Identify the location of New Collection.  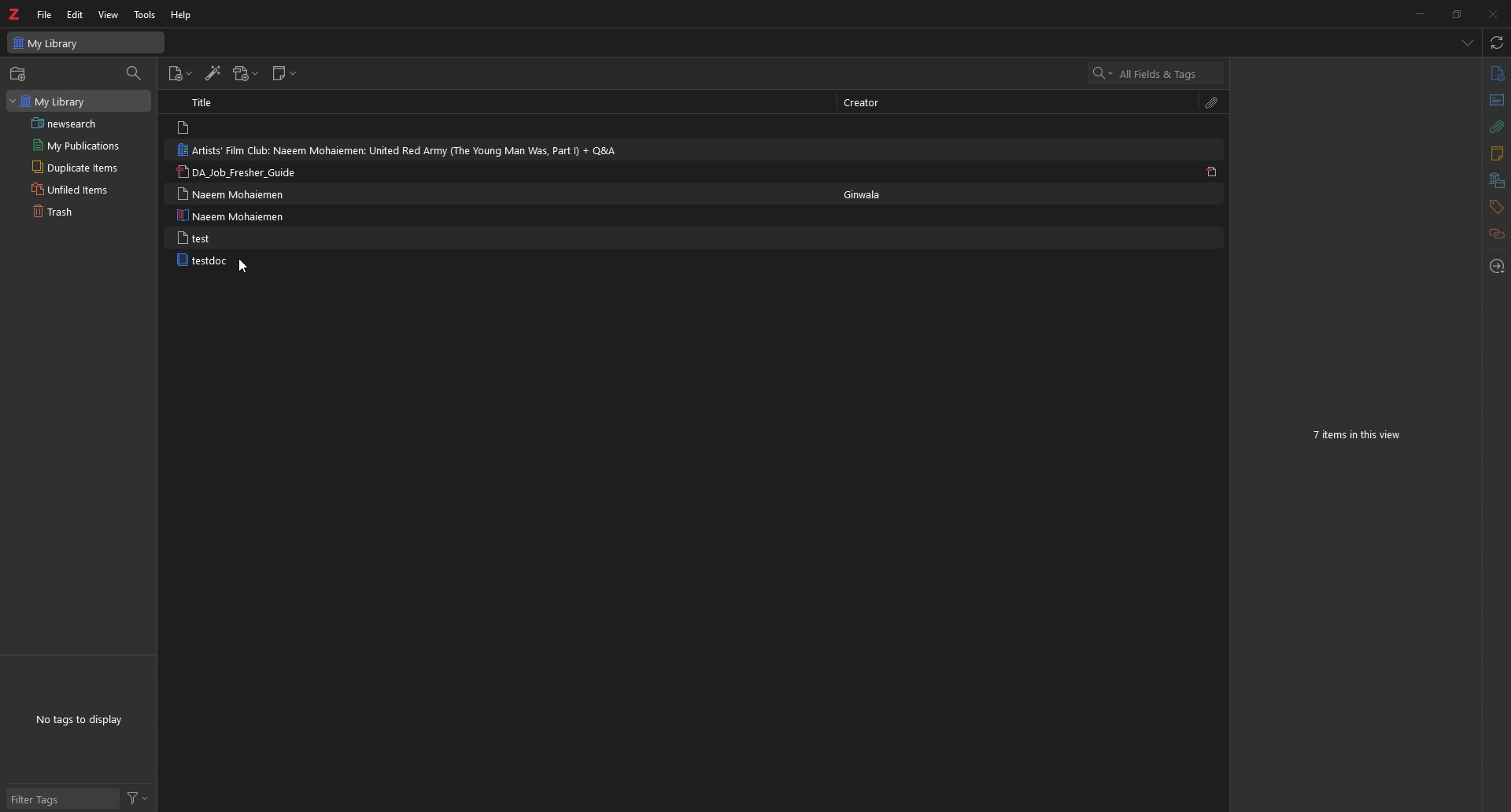
(22, 76).